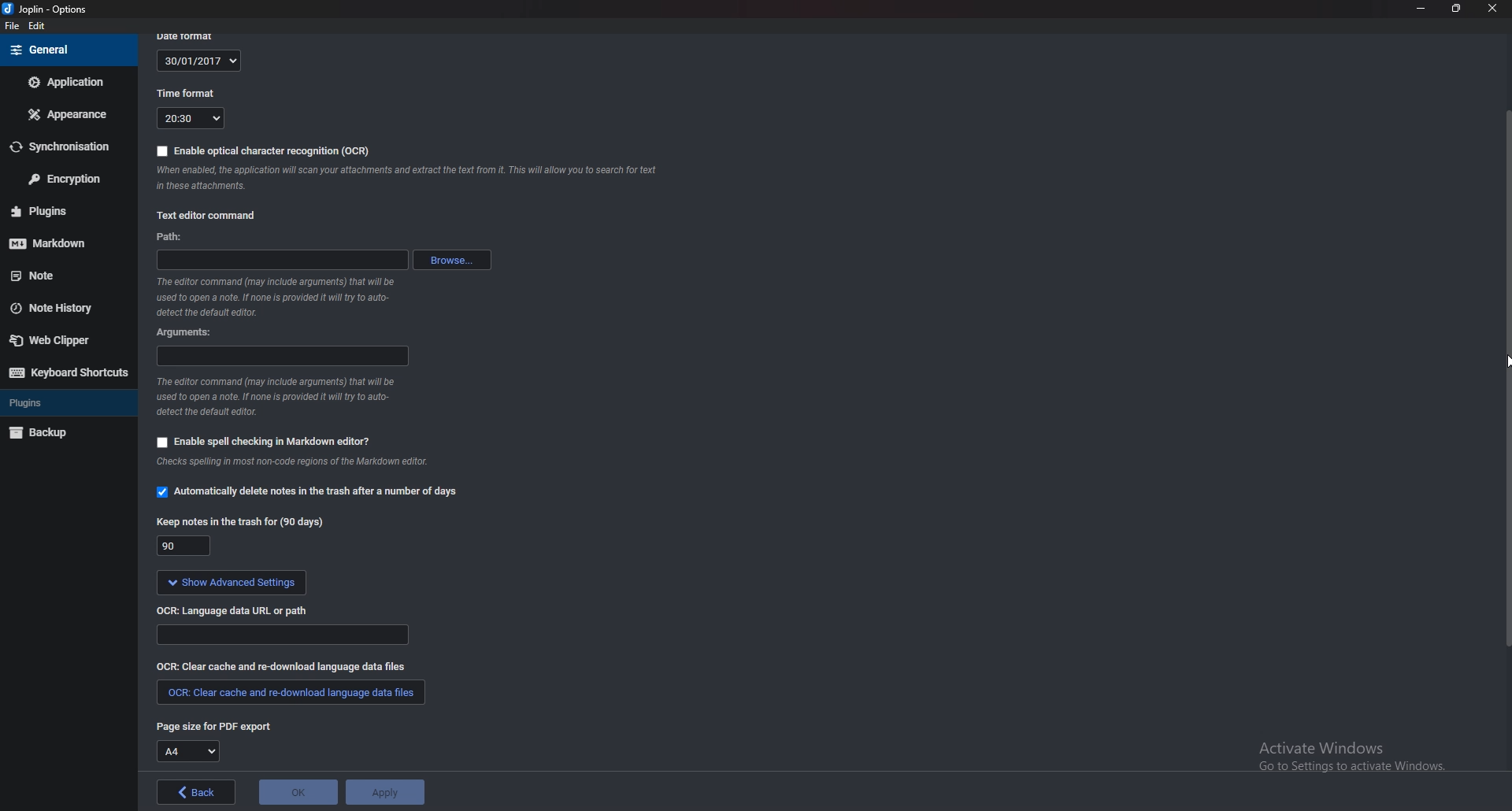 The height and width of the screenshot is (811, 1512). Describe the element at coordinates (282, 261) in the screenshot. I see `path` at that location.